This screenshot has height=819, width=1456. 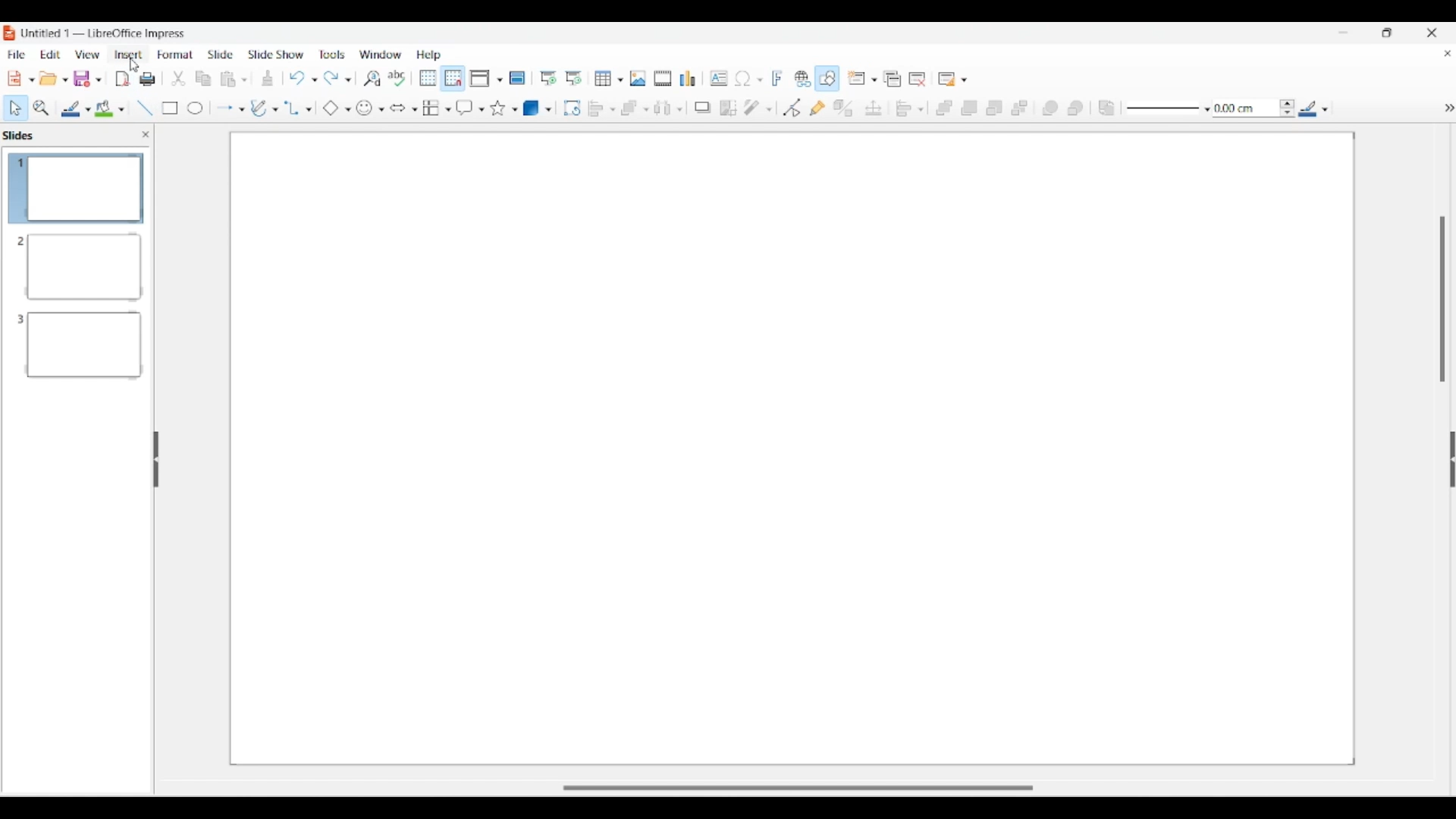 What do you see at coordinates (893, 79) in the screenshot?
I see `Duplicate slide` at bounding box center [893, 79].